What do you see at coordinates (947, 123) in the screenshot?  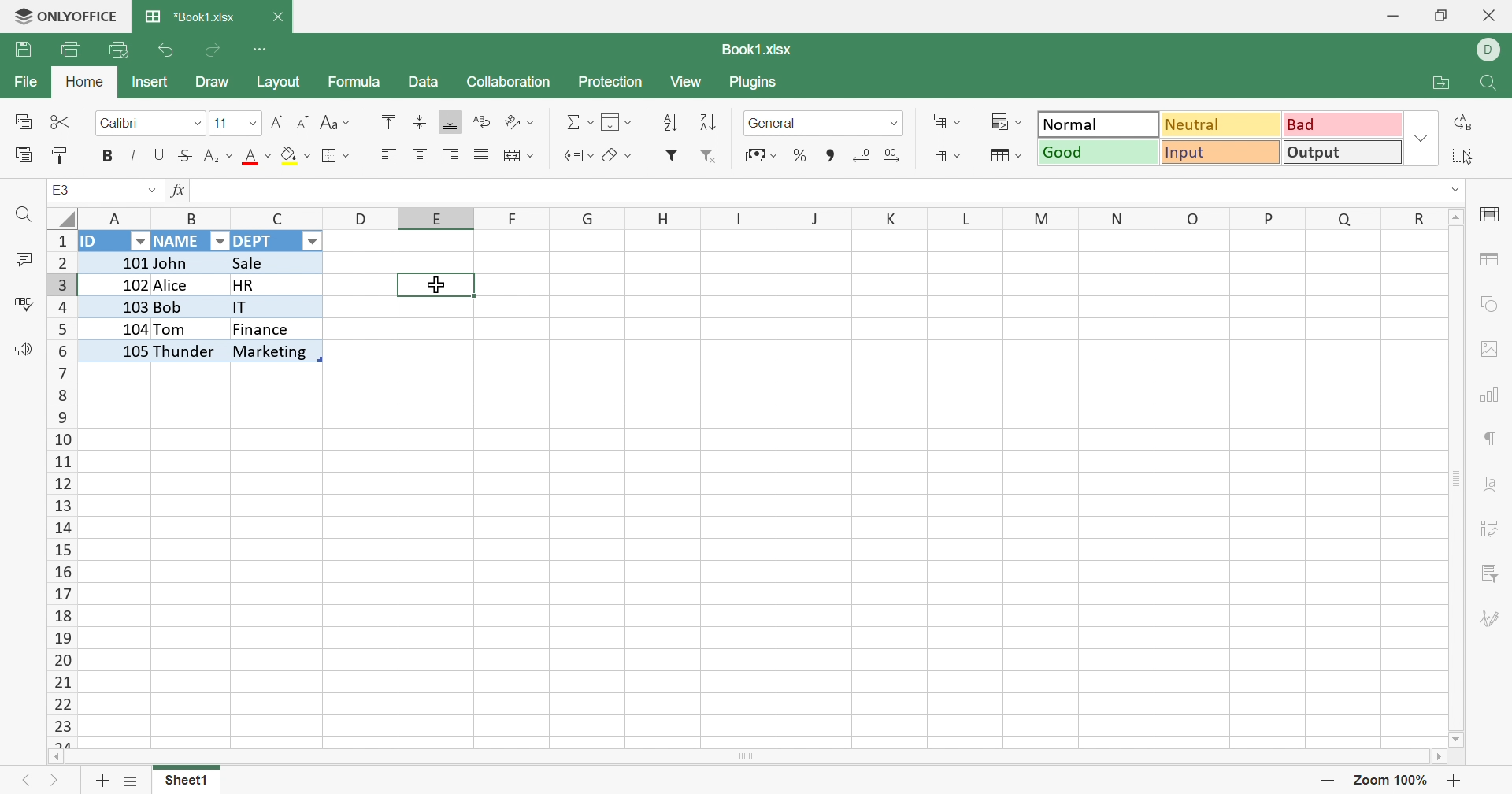 I see `Insert ` at bounding box center [947, 123].